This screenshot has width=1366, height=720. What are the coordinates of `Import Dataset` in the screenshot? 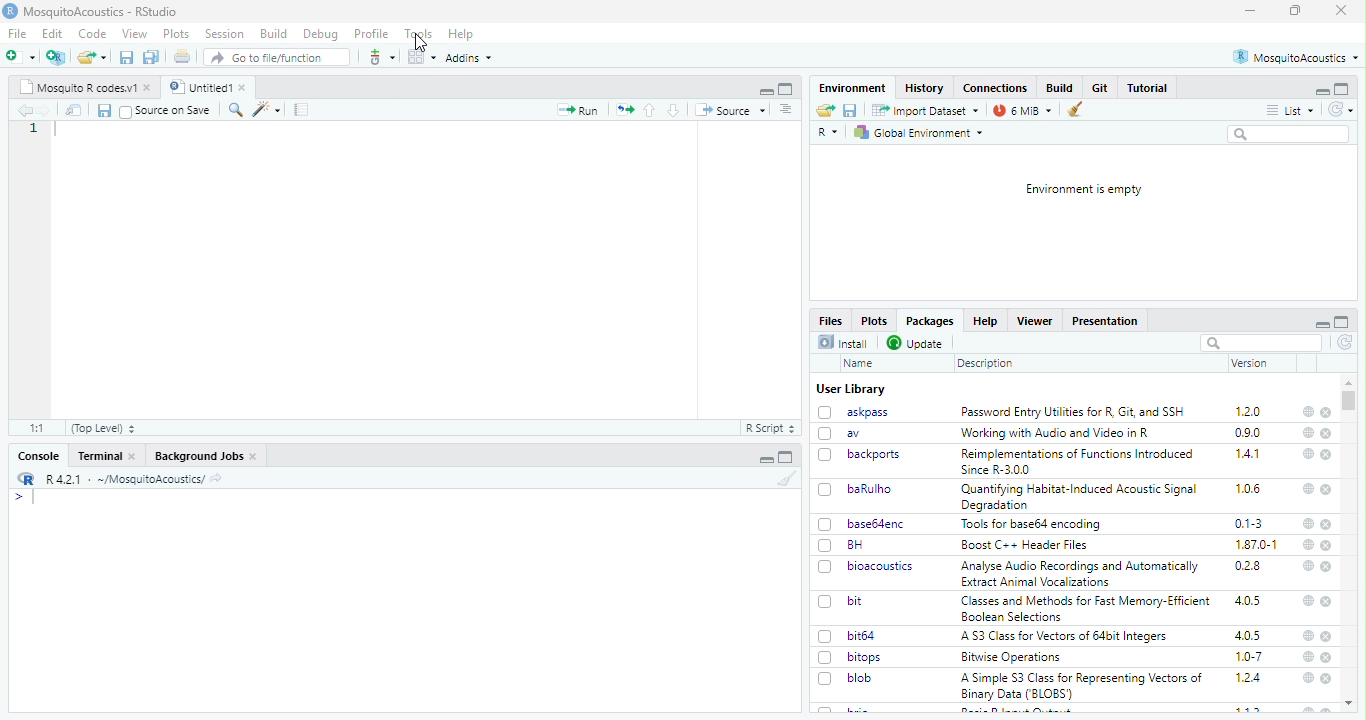 It's located at (927, 111).